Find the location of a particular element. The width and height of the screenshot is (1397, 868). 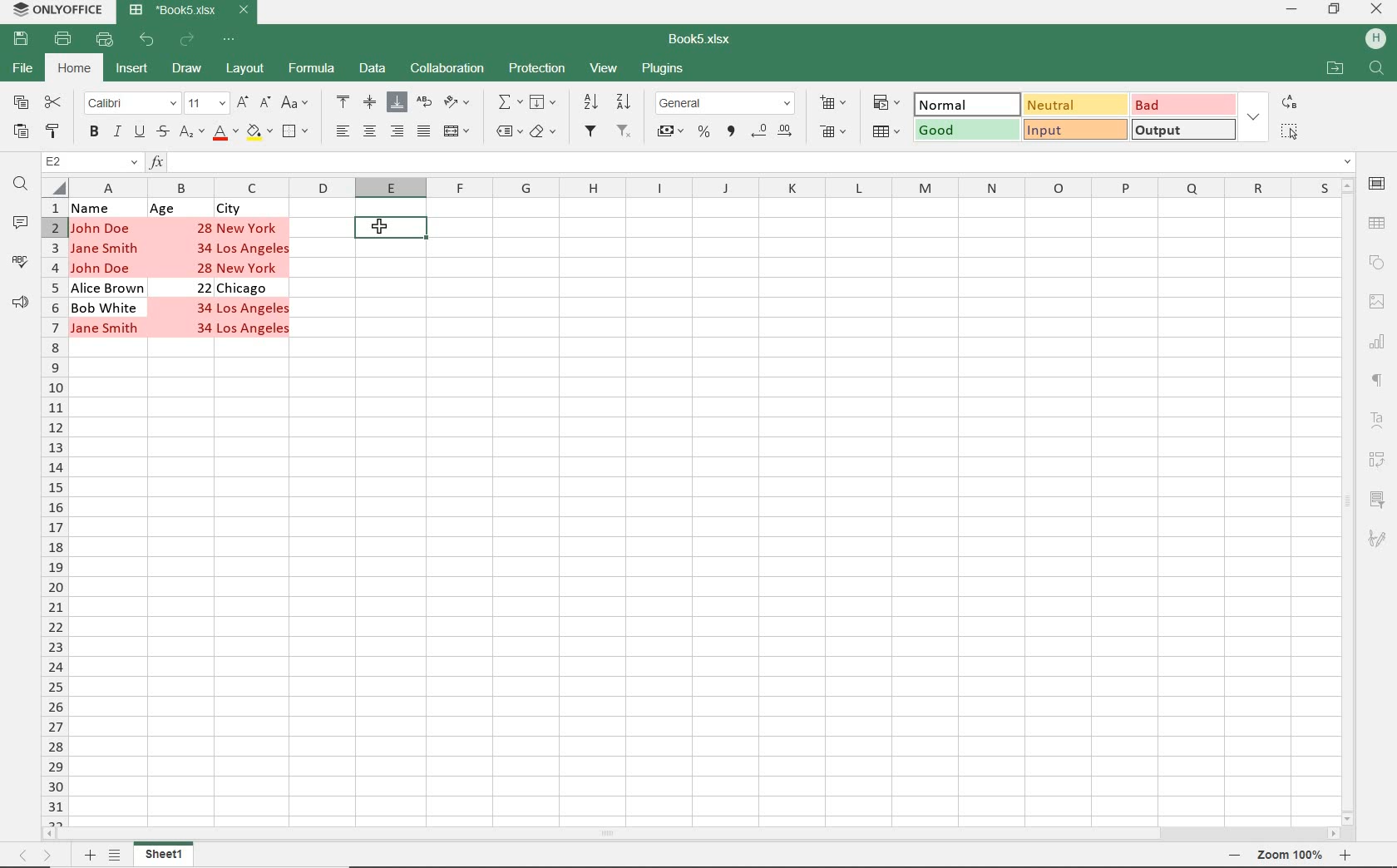

FILTER is located at coordinates (591, 132).